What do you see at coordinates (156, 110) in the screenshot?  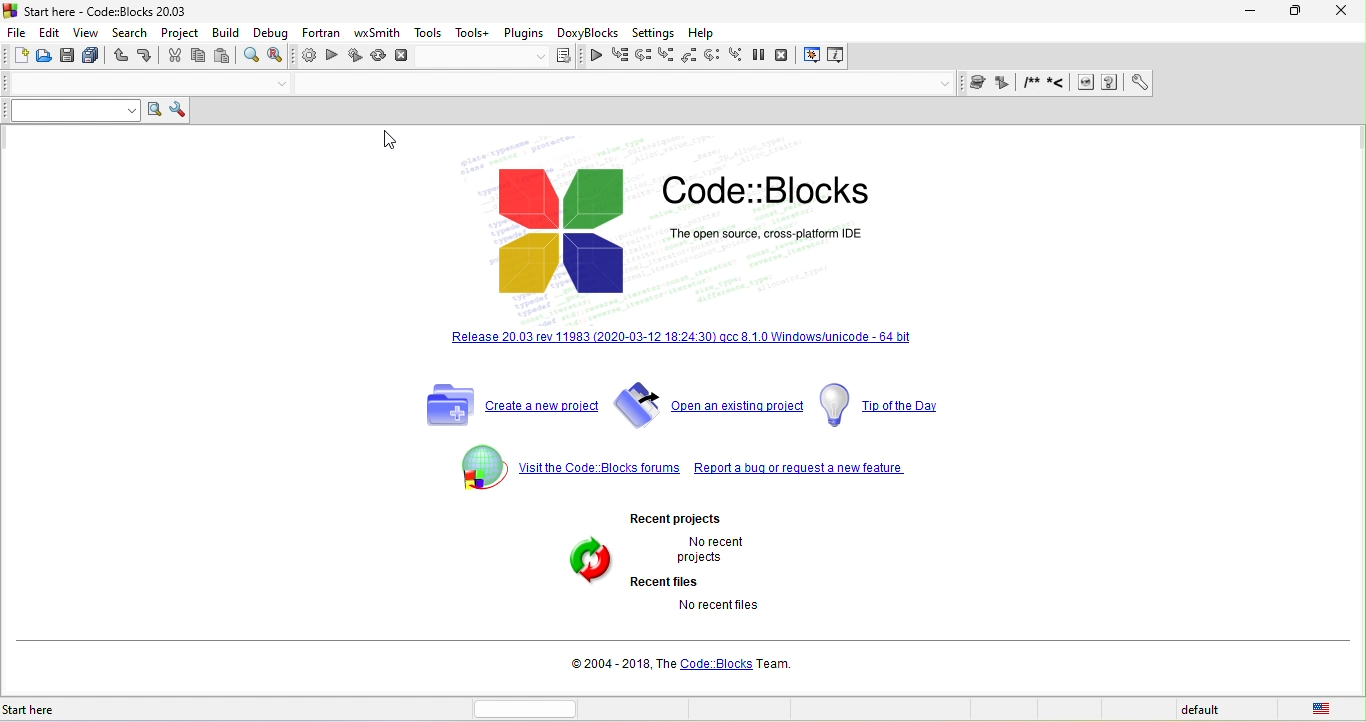 I see `run search` at bounding box center [156, 110].